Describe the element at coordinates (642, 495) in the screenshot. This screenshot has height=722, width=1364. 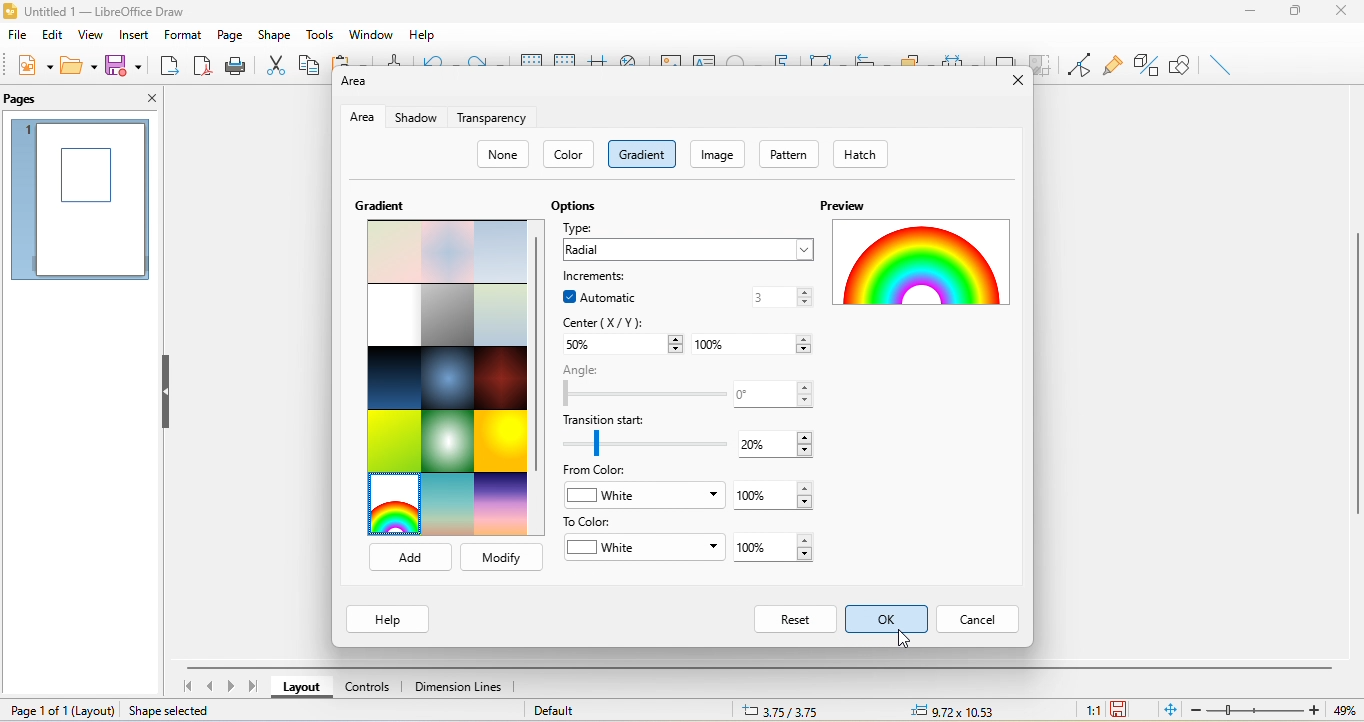
I see `white` at that location.